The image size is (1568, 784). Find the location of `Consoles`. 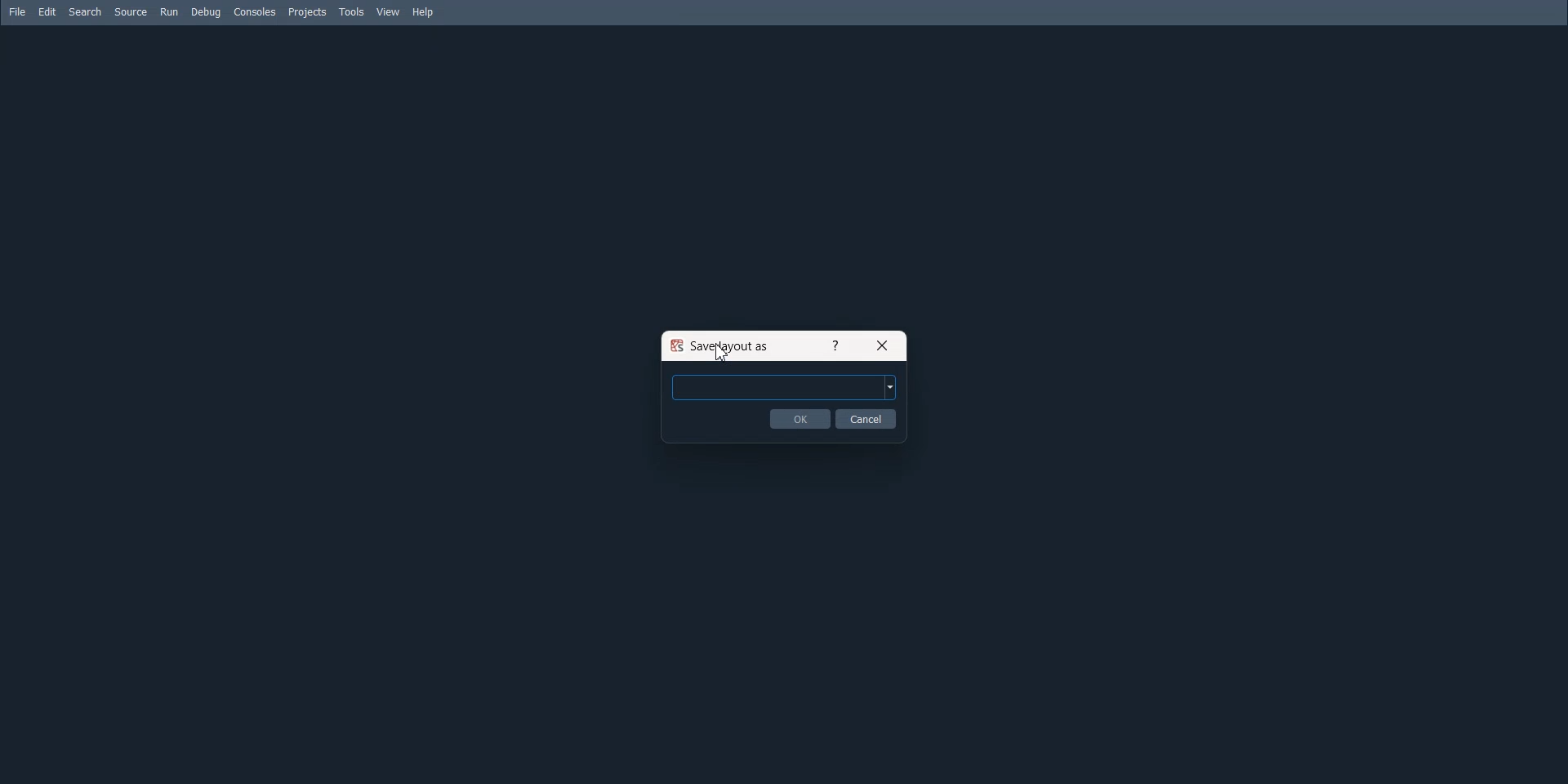

Consoles is located at coordinates (256, 11).